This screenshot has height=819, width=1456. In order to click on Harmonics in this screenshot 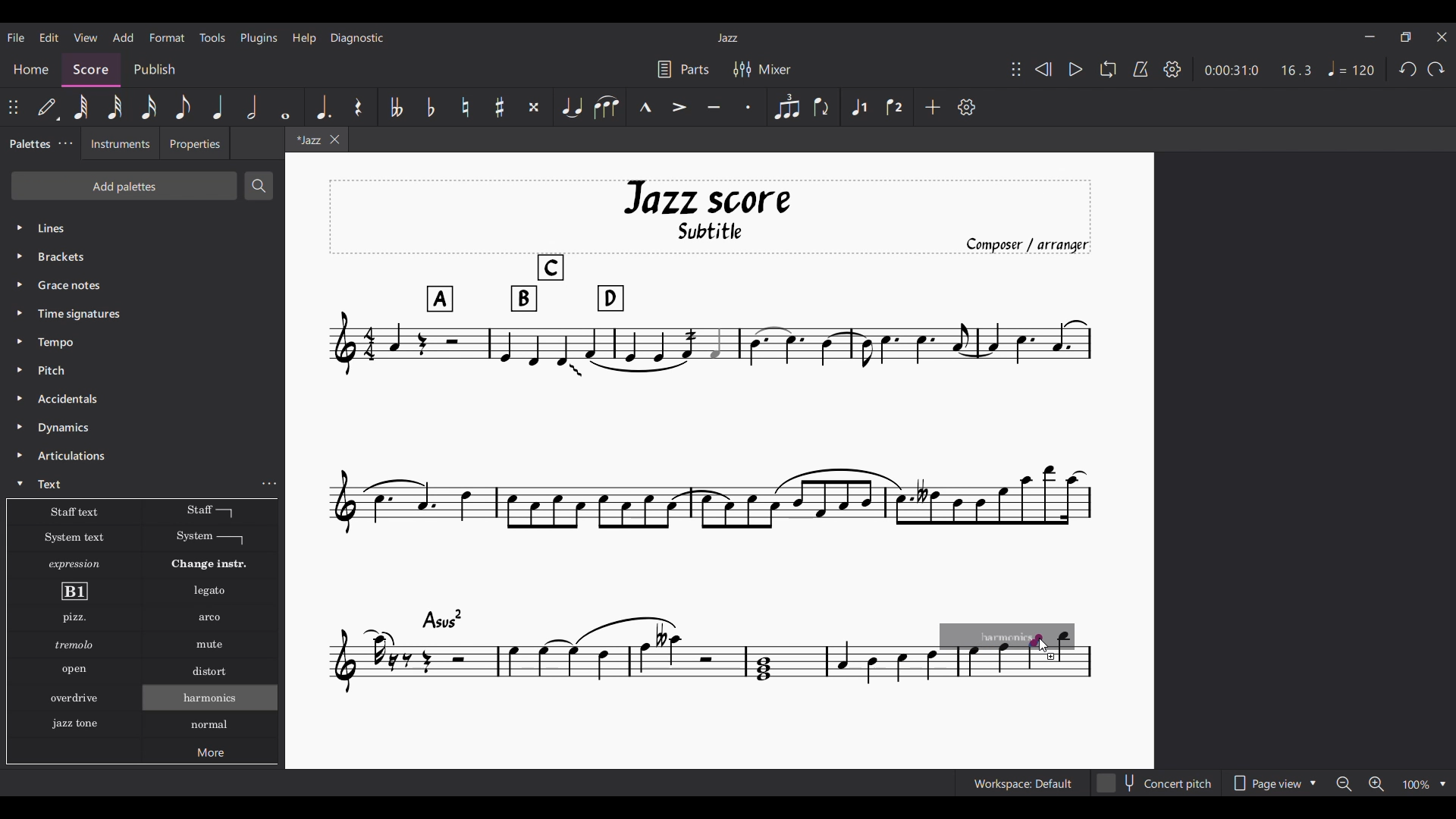, I will do `click(219, 701)`.